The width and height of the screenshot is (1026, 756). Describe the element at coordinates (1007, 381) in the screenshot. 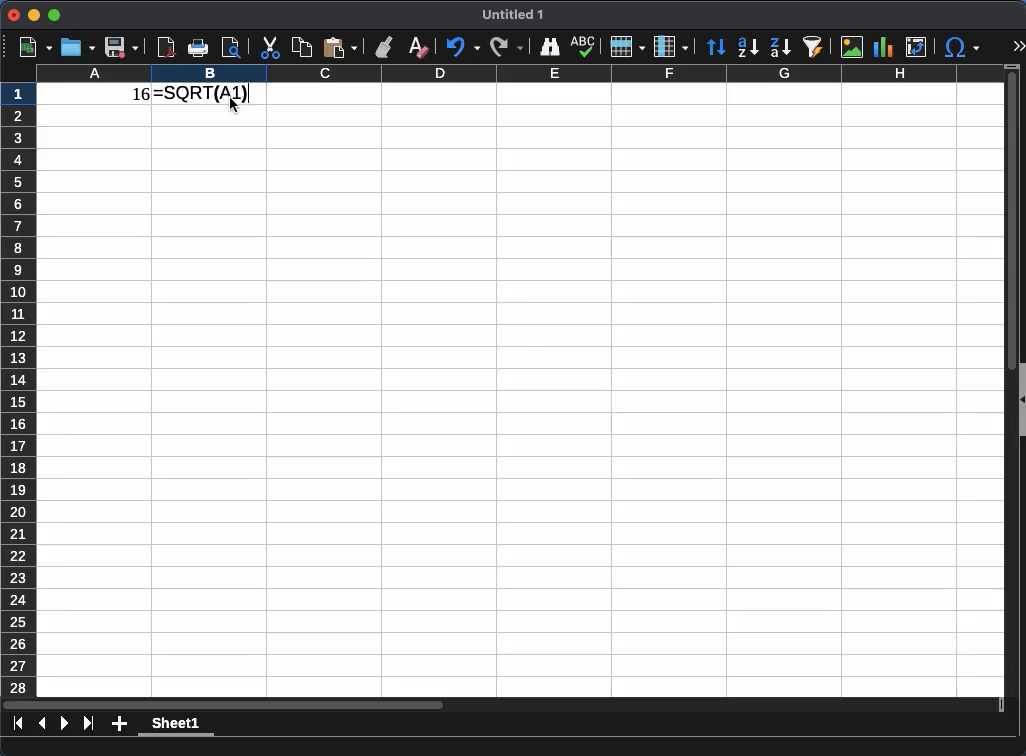

I see `scroll` at that location.